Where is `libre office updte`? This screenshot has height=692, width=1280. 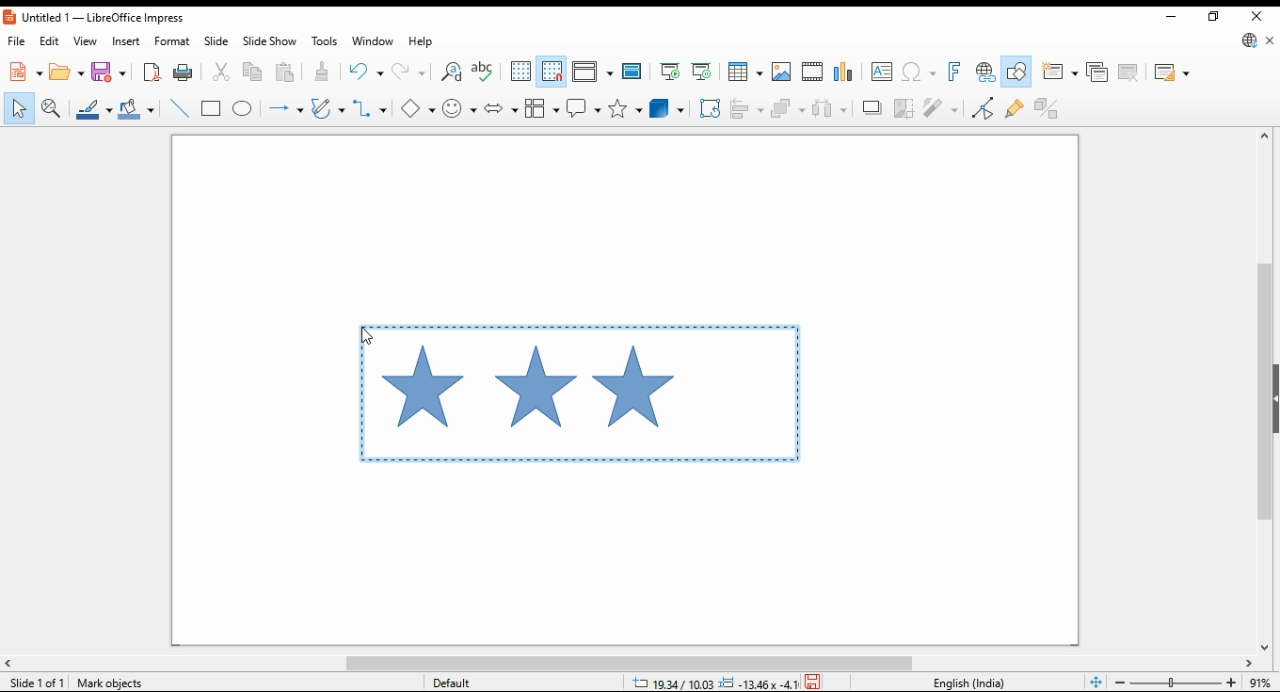
libre office updte is located at coordinates (1247, 40).